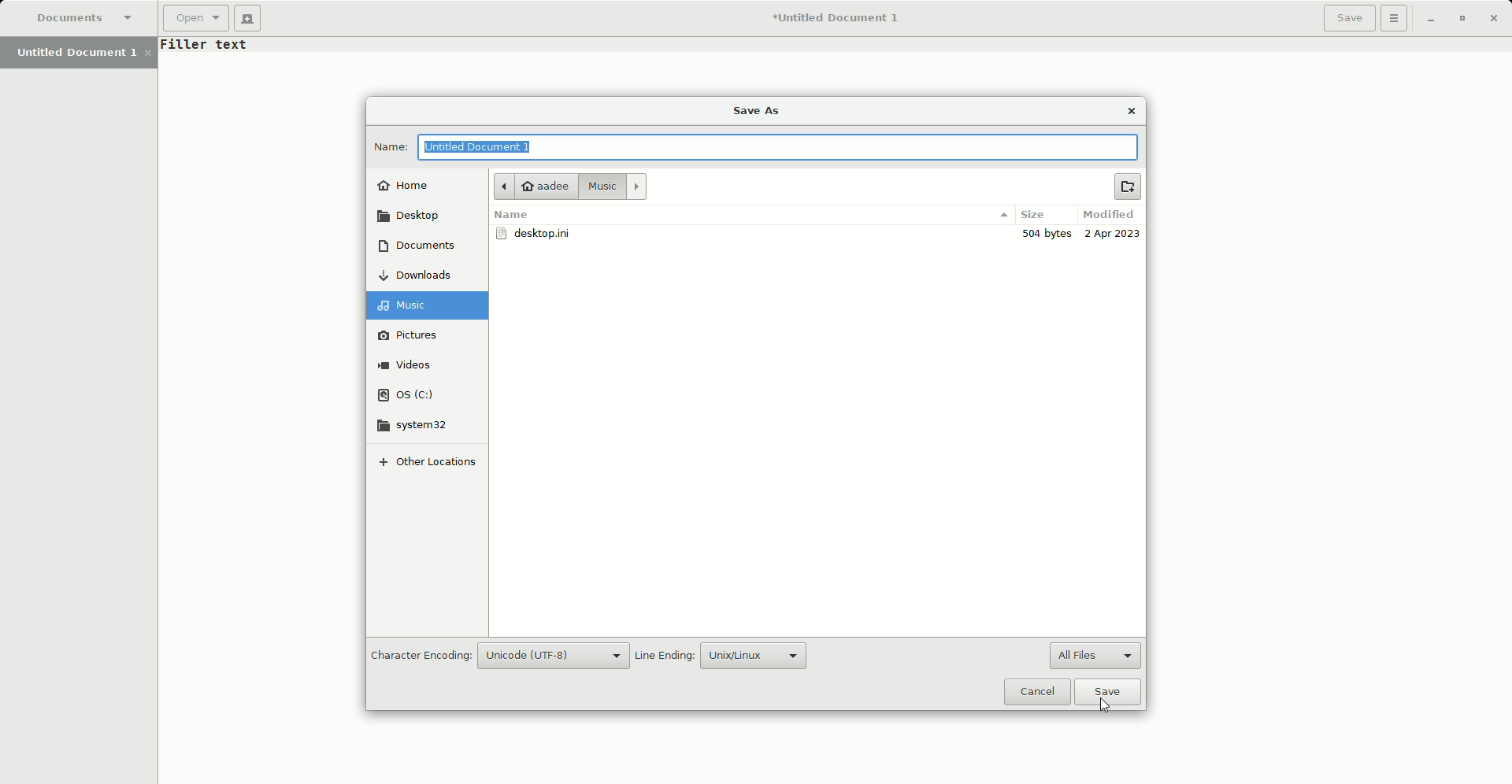  Describe the element at coordinates (417, 429) in the screenshot. I see `system32` at that location.